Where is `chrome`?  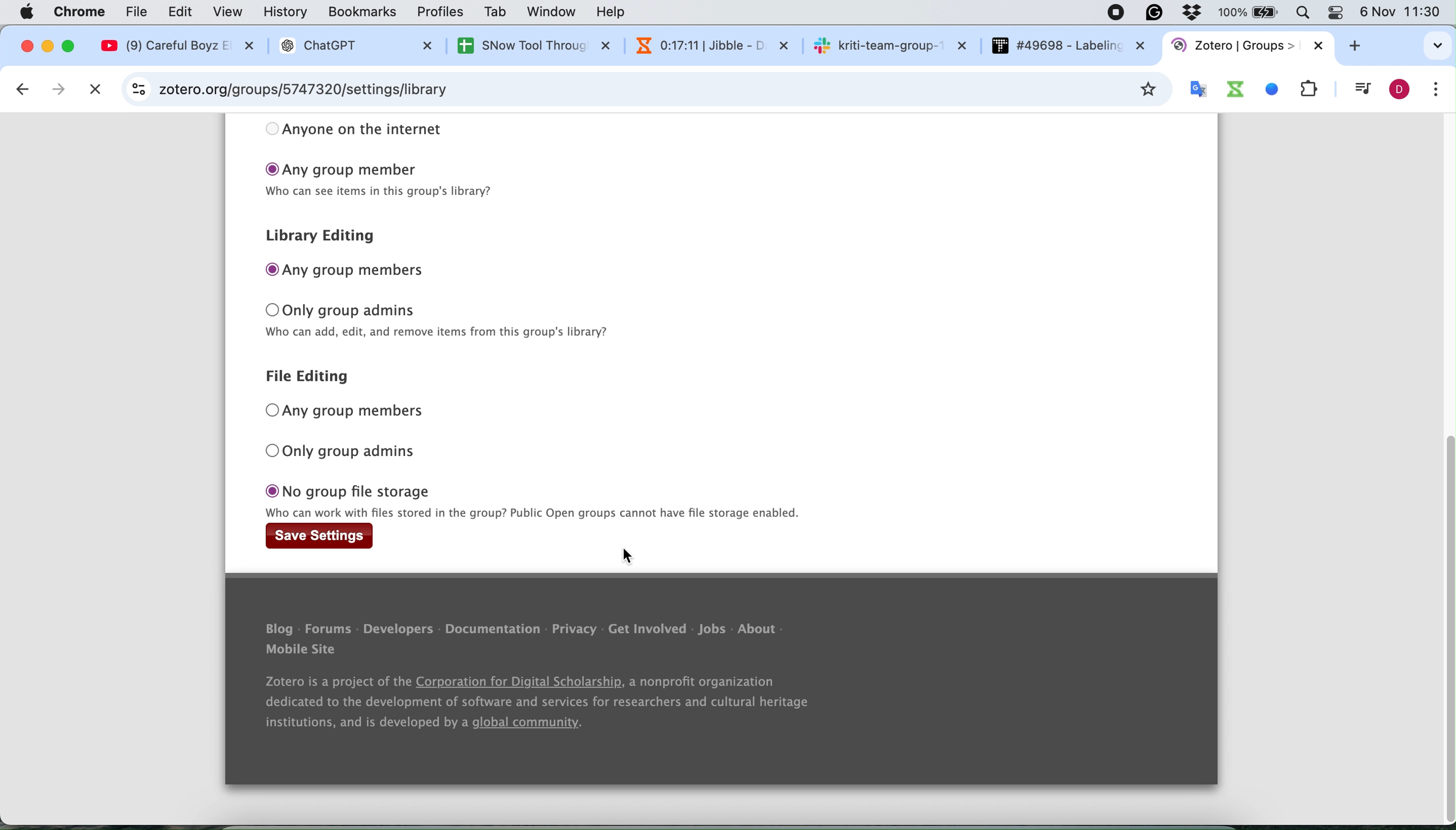 chrome is located at coordinates (82, 11).